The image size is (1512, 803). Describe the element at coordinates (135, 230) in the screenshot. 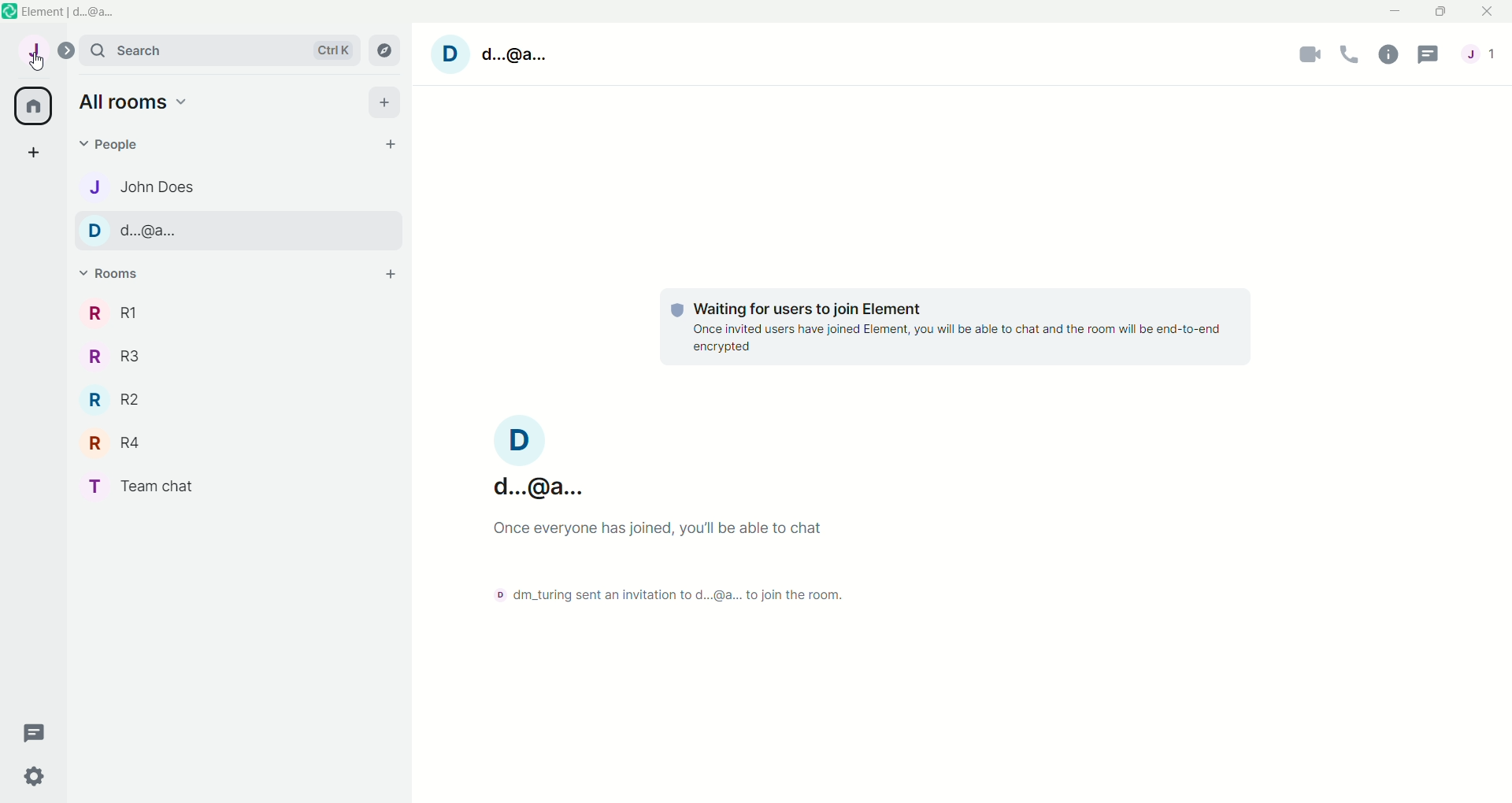

I see `D d...@a...` at that location.